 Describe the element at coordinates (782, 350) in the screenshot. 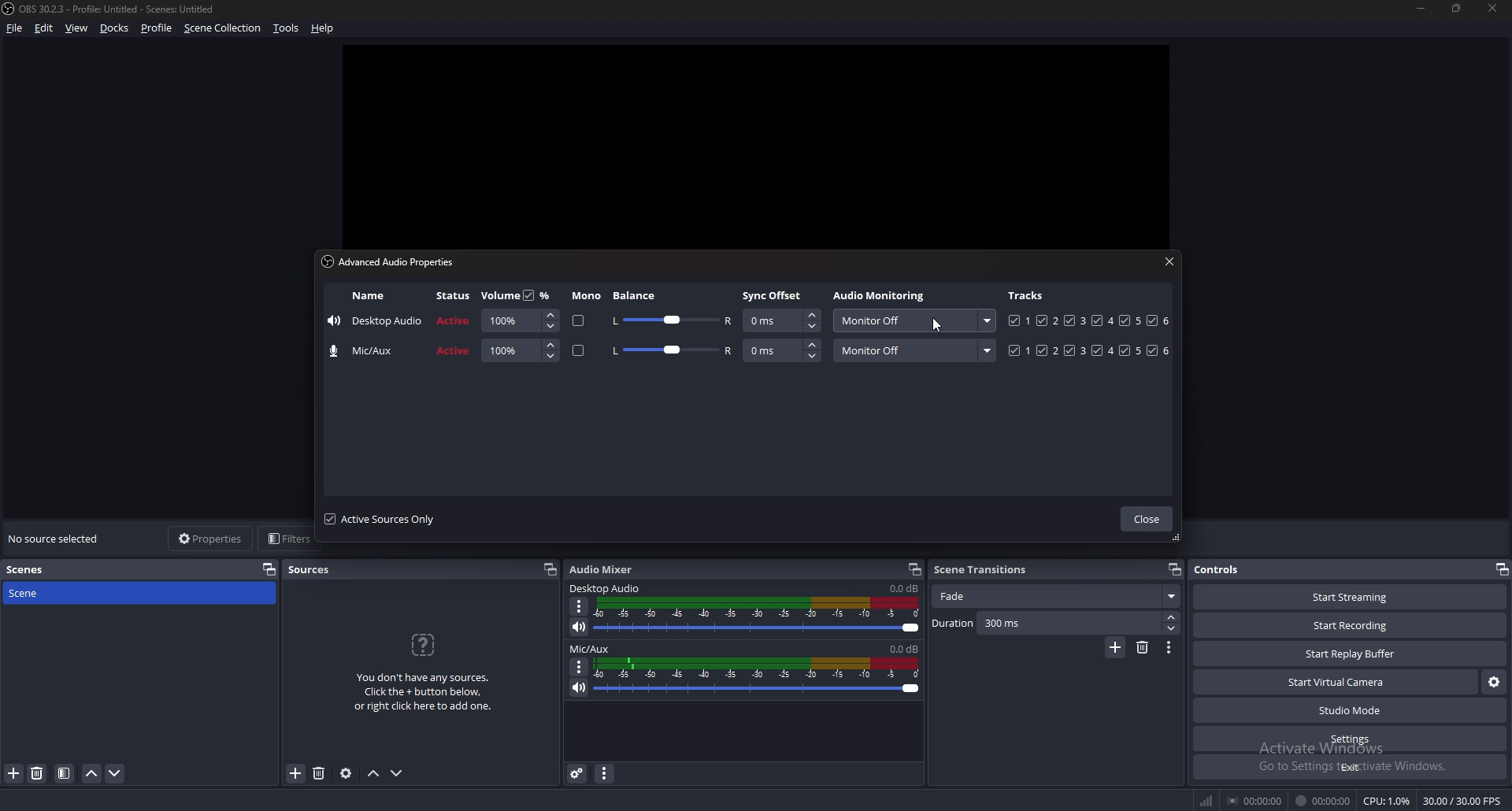

I see `sync offset adjust` at that location.